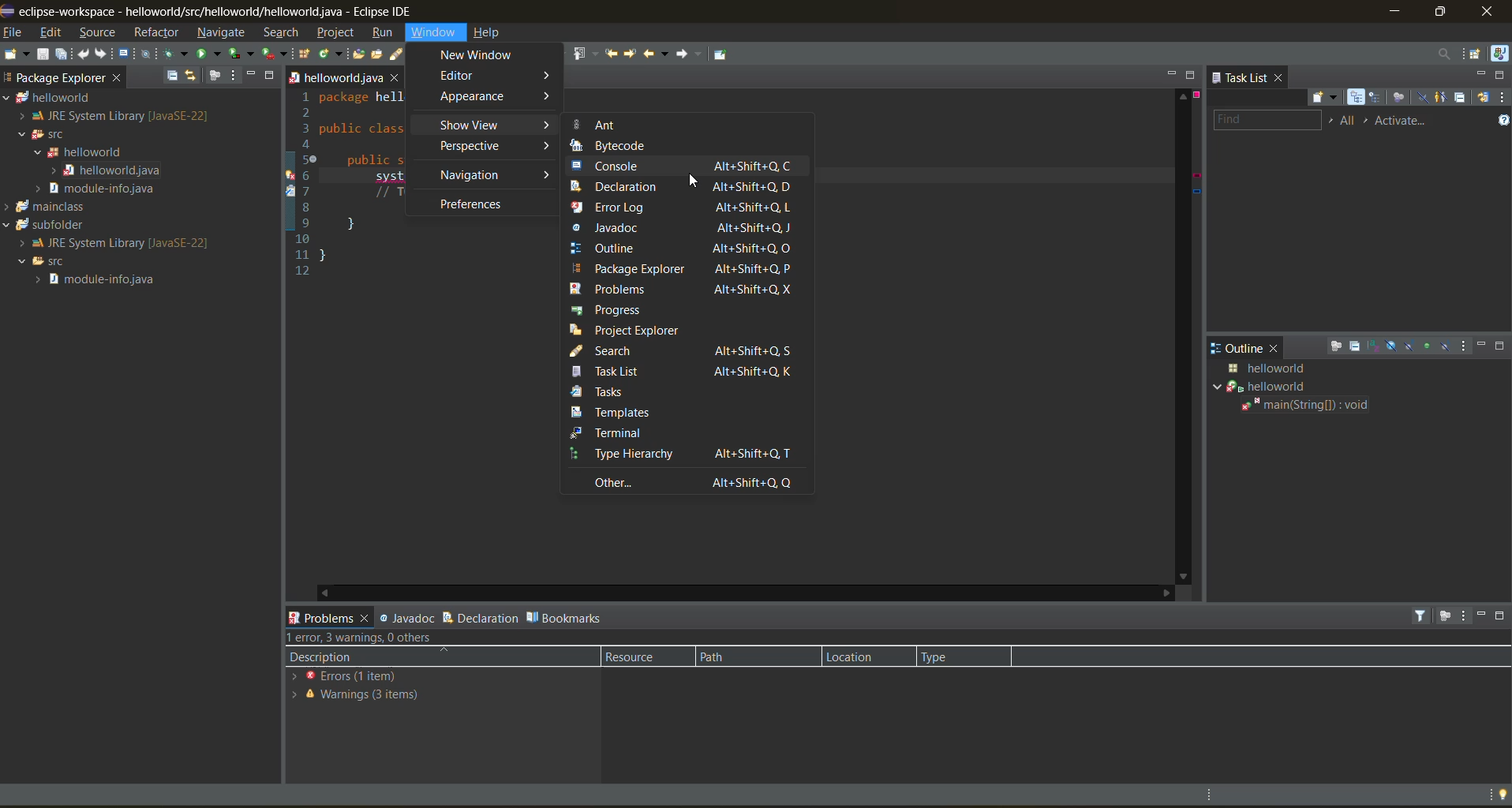  Describe the element at coordinates (634, 52) in the screenshot. I see `next edit location` at that location.